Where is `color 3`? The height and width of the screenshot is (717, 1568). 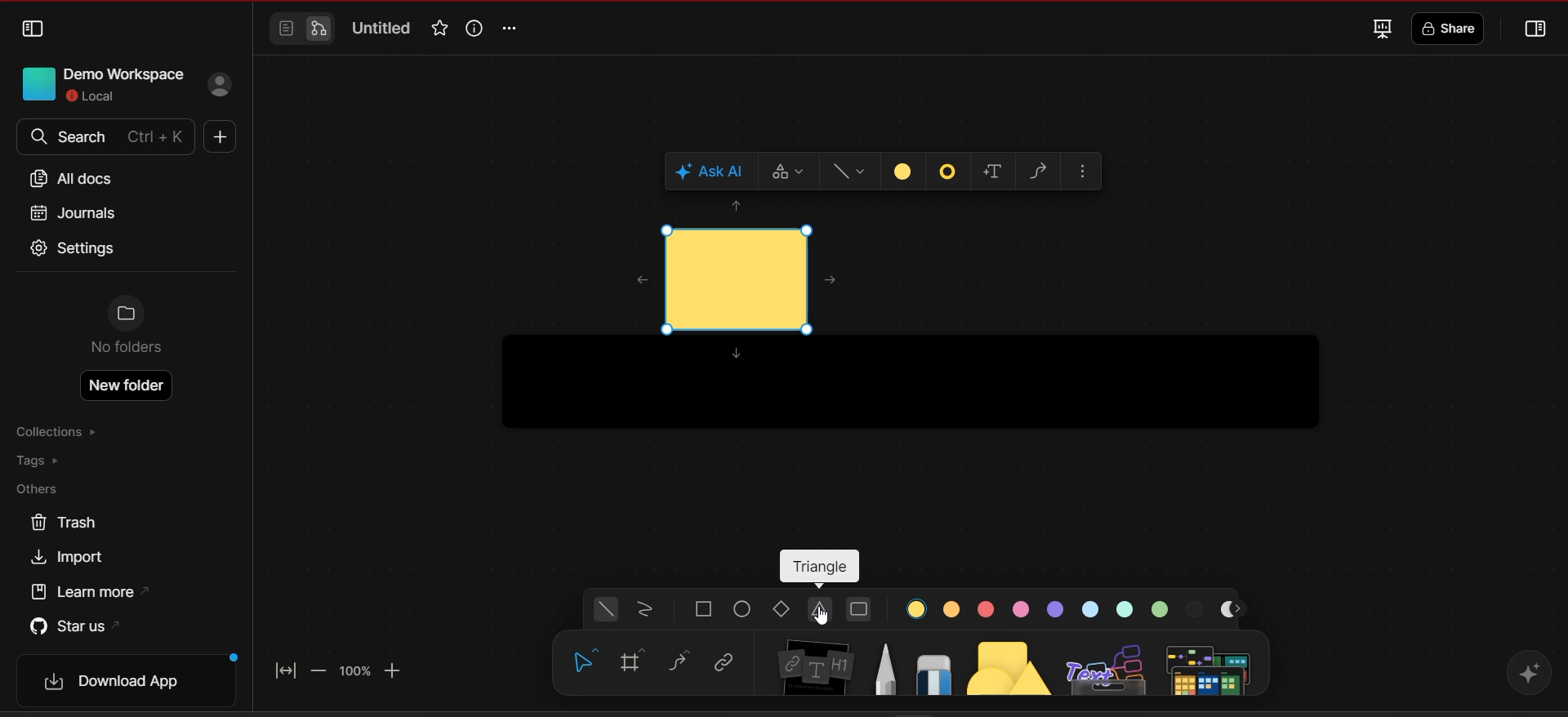
color 3 is located at coordinates (985, 610).